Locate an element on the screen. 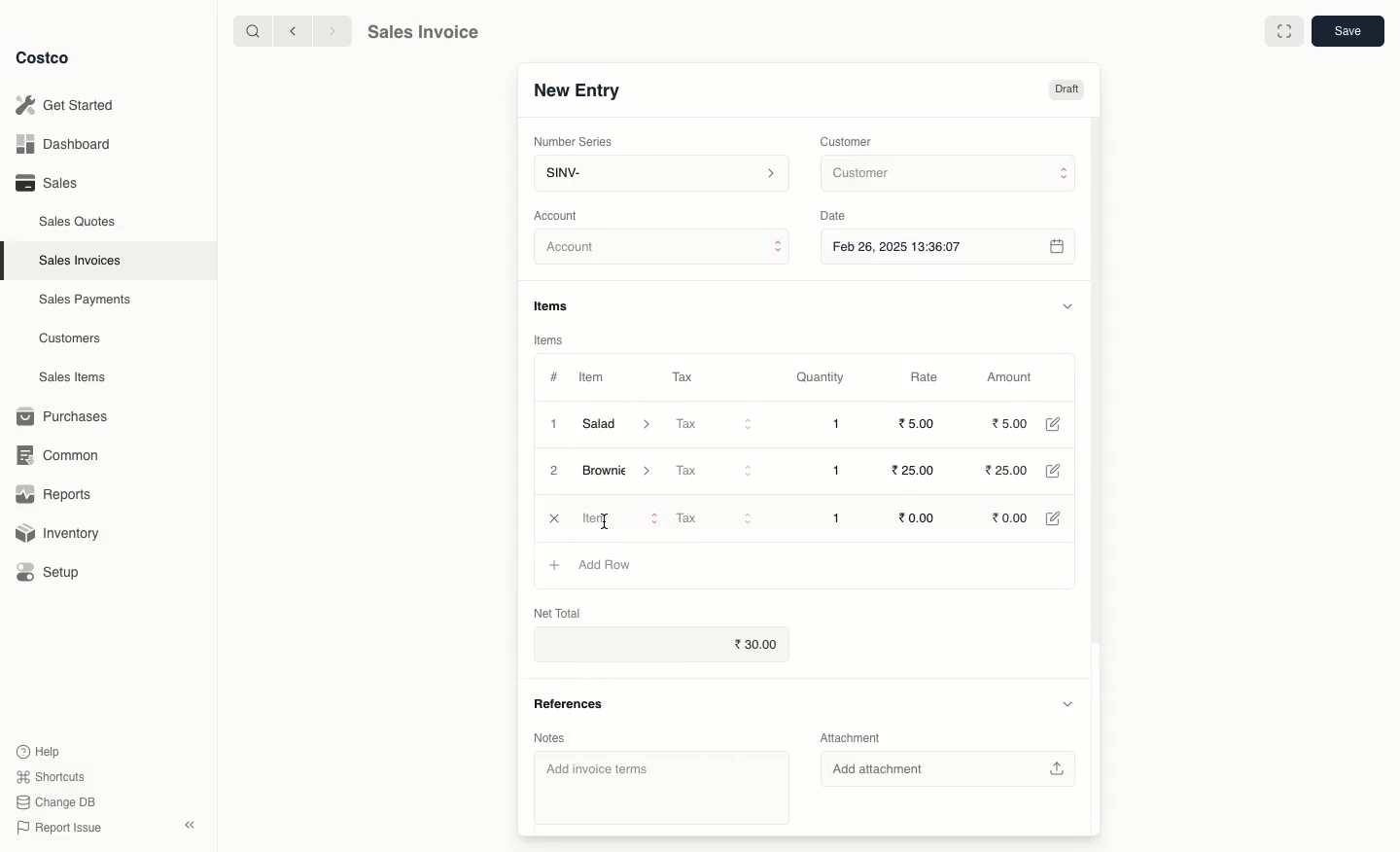 The image size is (1400, 852). Sales Invoices is located at coordinates (81, 261).